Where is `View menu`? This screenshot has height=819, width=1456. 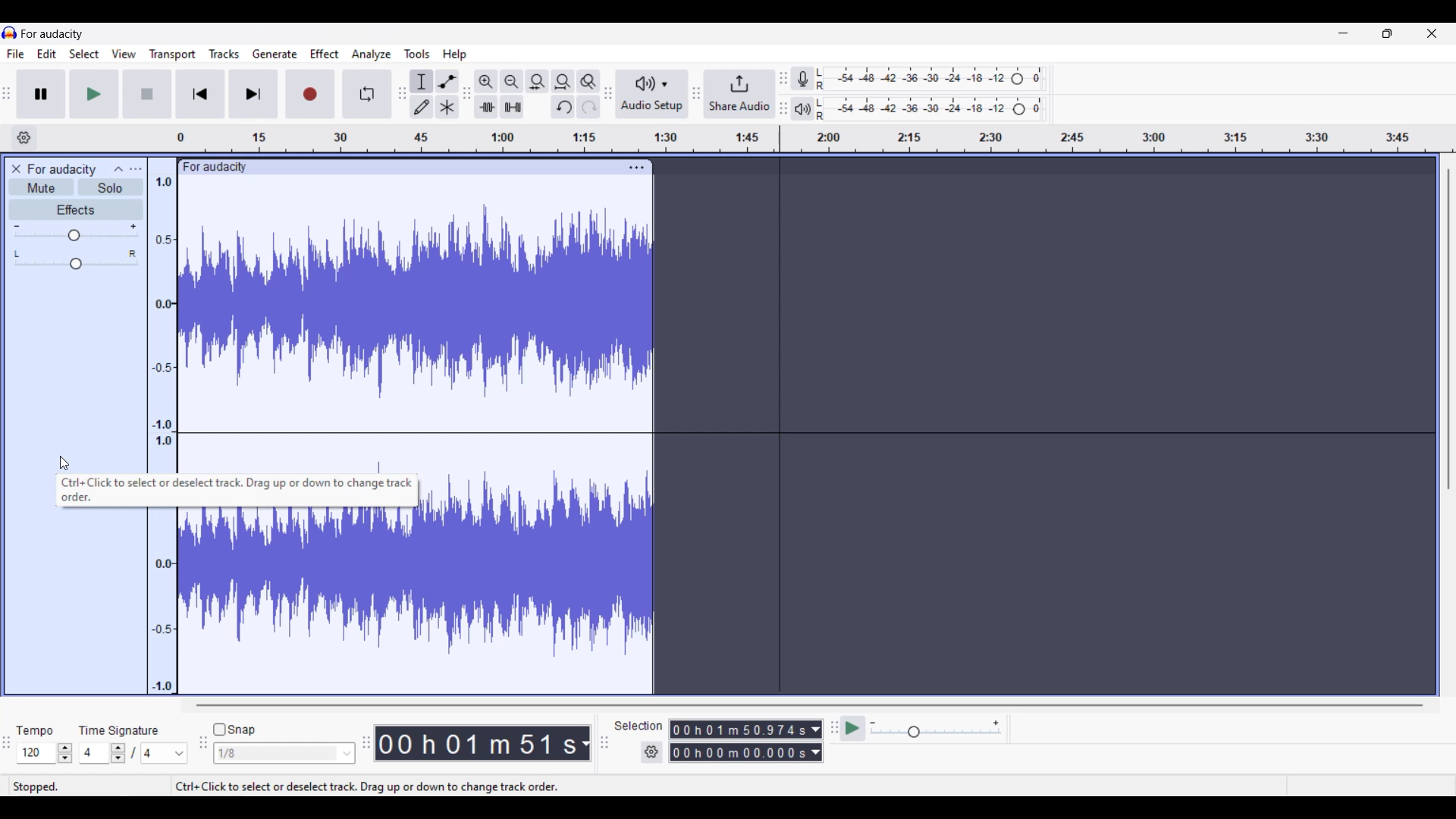 View menu is located at coordinates (124, 53).